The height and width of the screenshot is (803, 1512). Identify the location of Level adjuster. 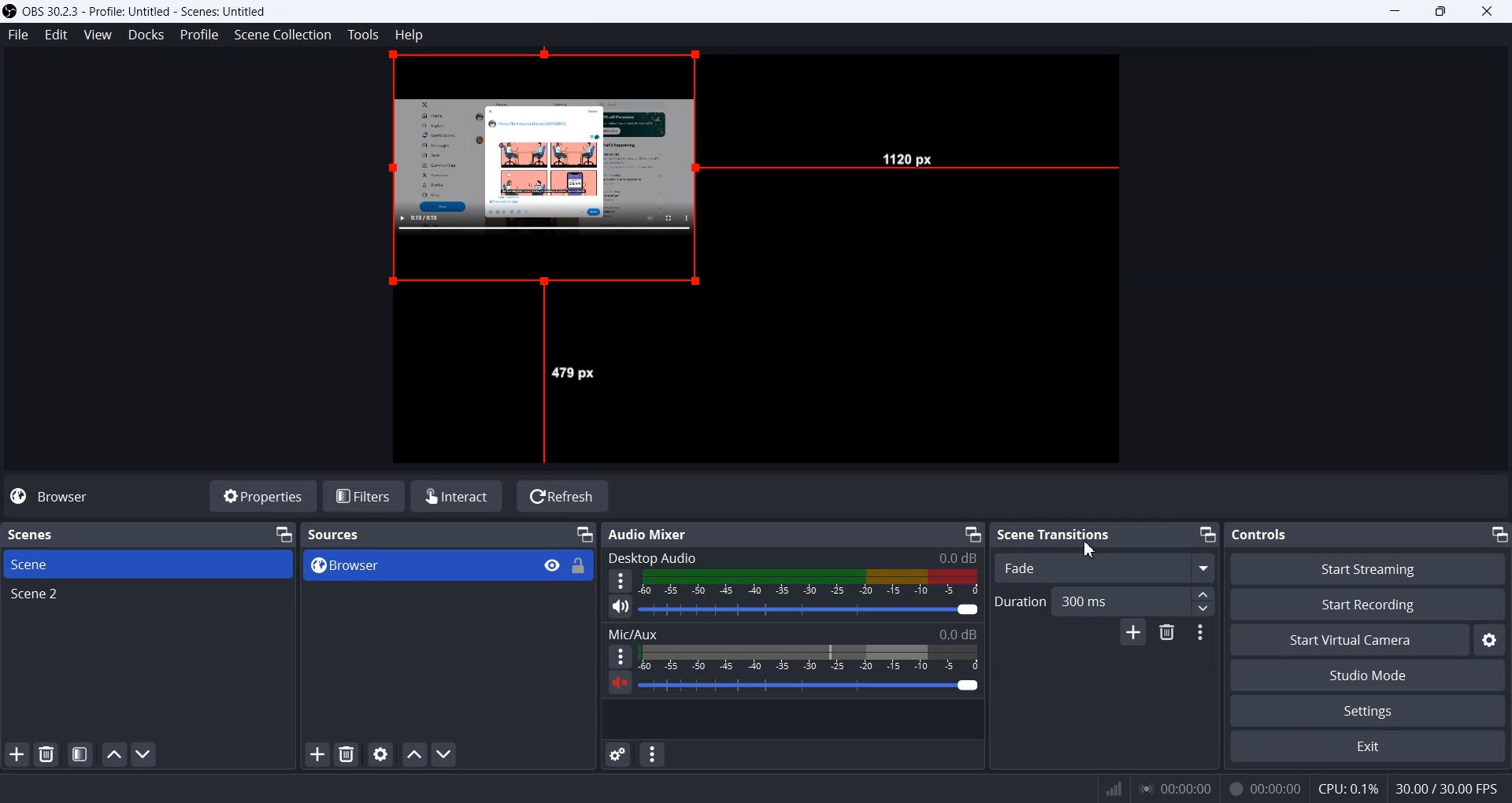
(1204, 601).